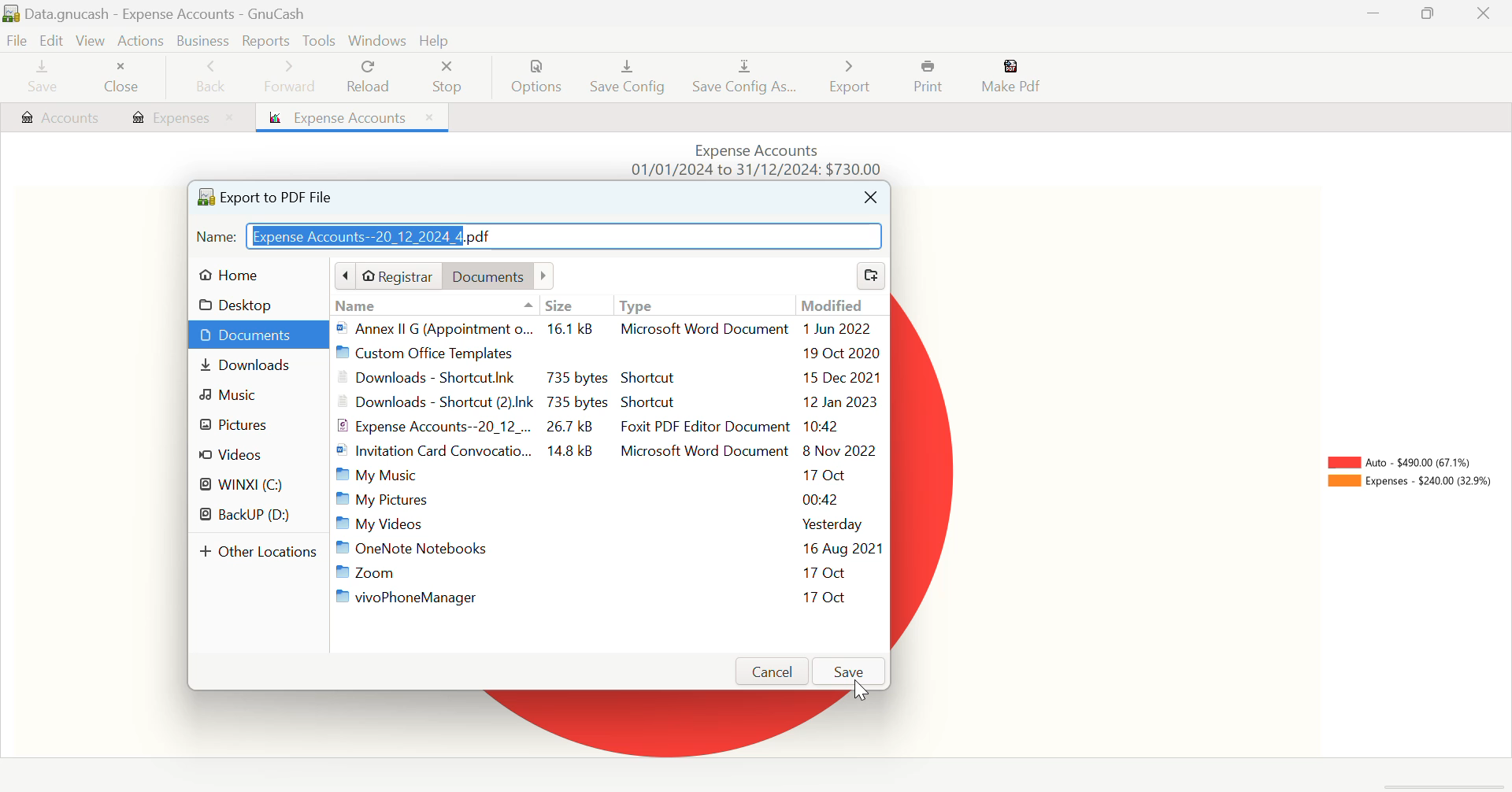 The height and width of the screenshot is (792, 1512). I want to click on Export to PDF File, so click(265, 195).